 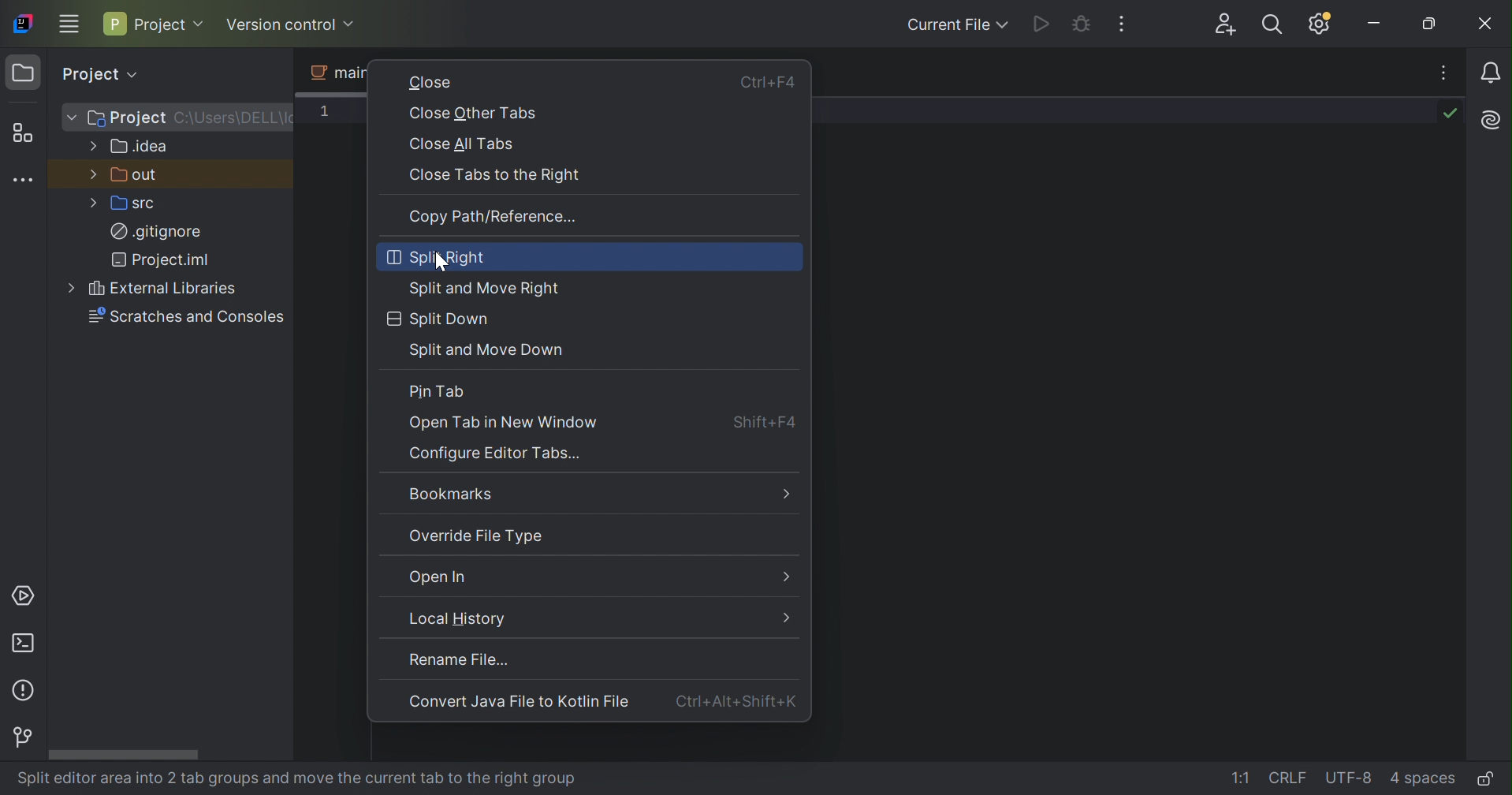 What do you see at coordinates (445, 579) in the screenshot?
I see `Open in` at bounding box center [445, 579].